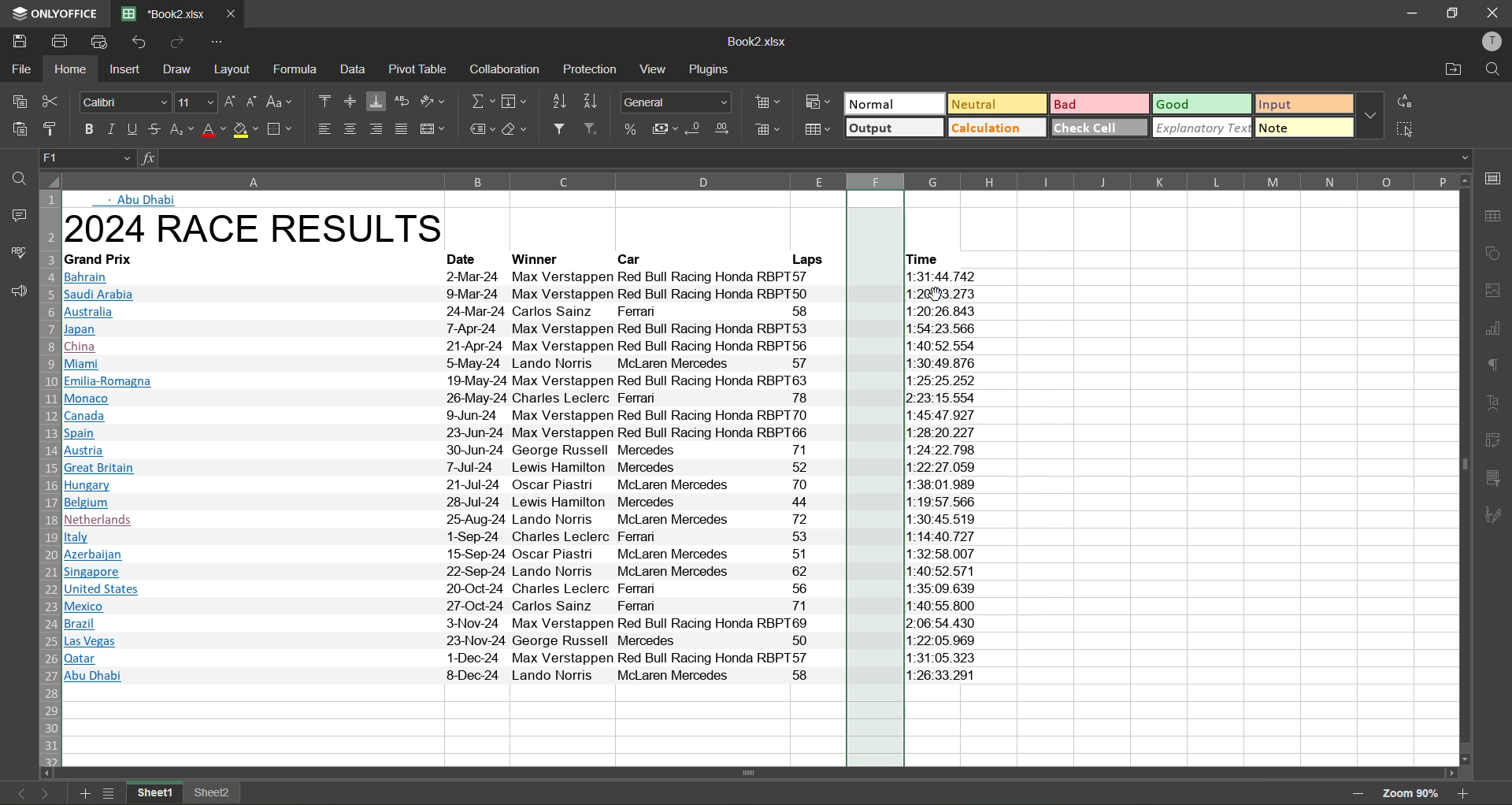  I want to click on 11:38:01.98, so click(939, 484).